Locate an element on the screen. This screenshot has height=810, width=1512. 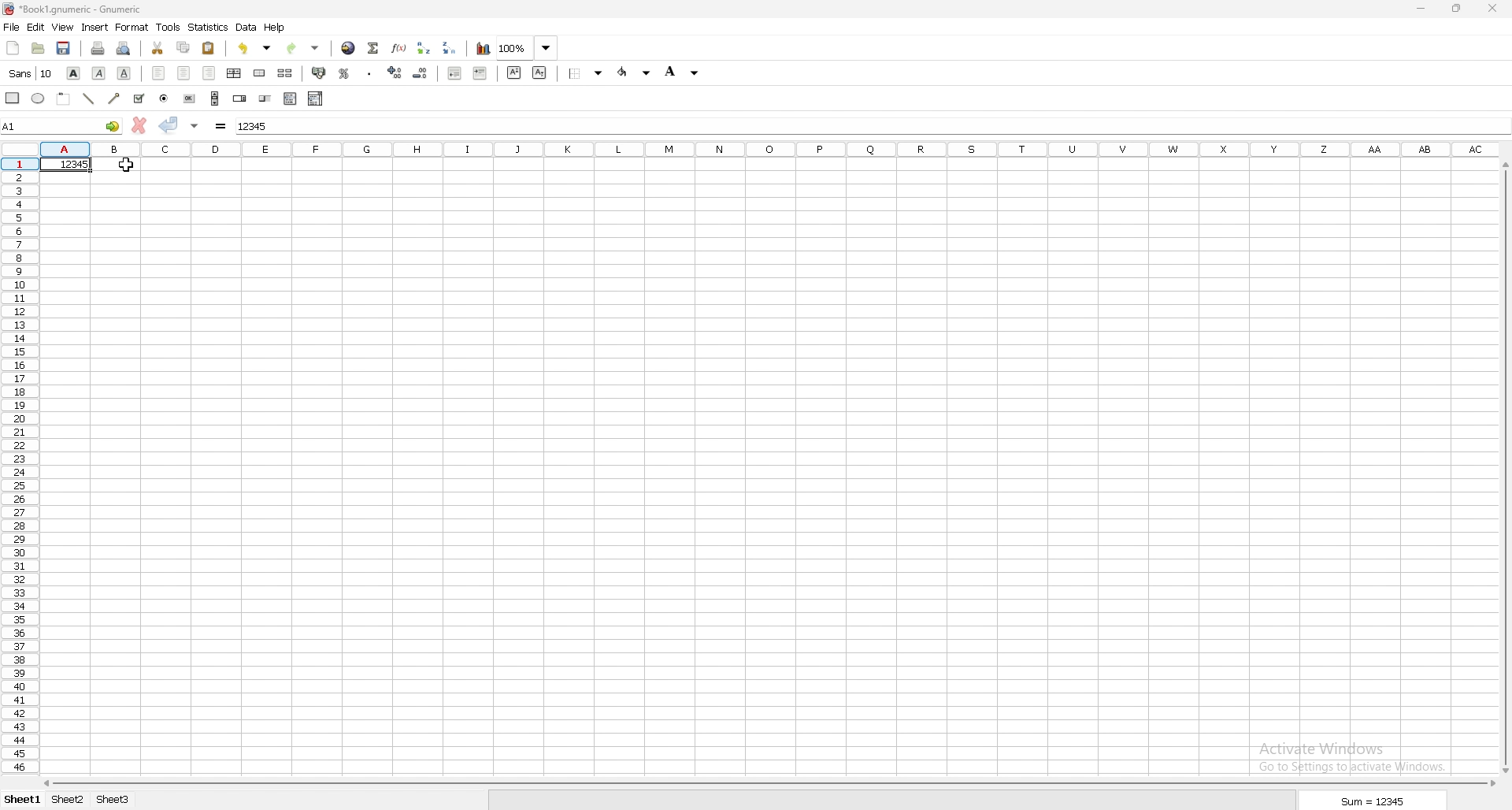
rows is located at coordinates (17, 466).